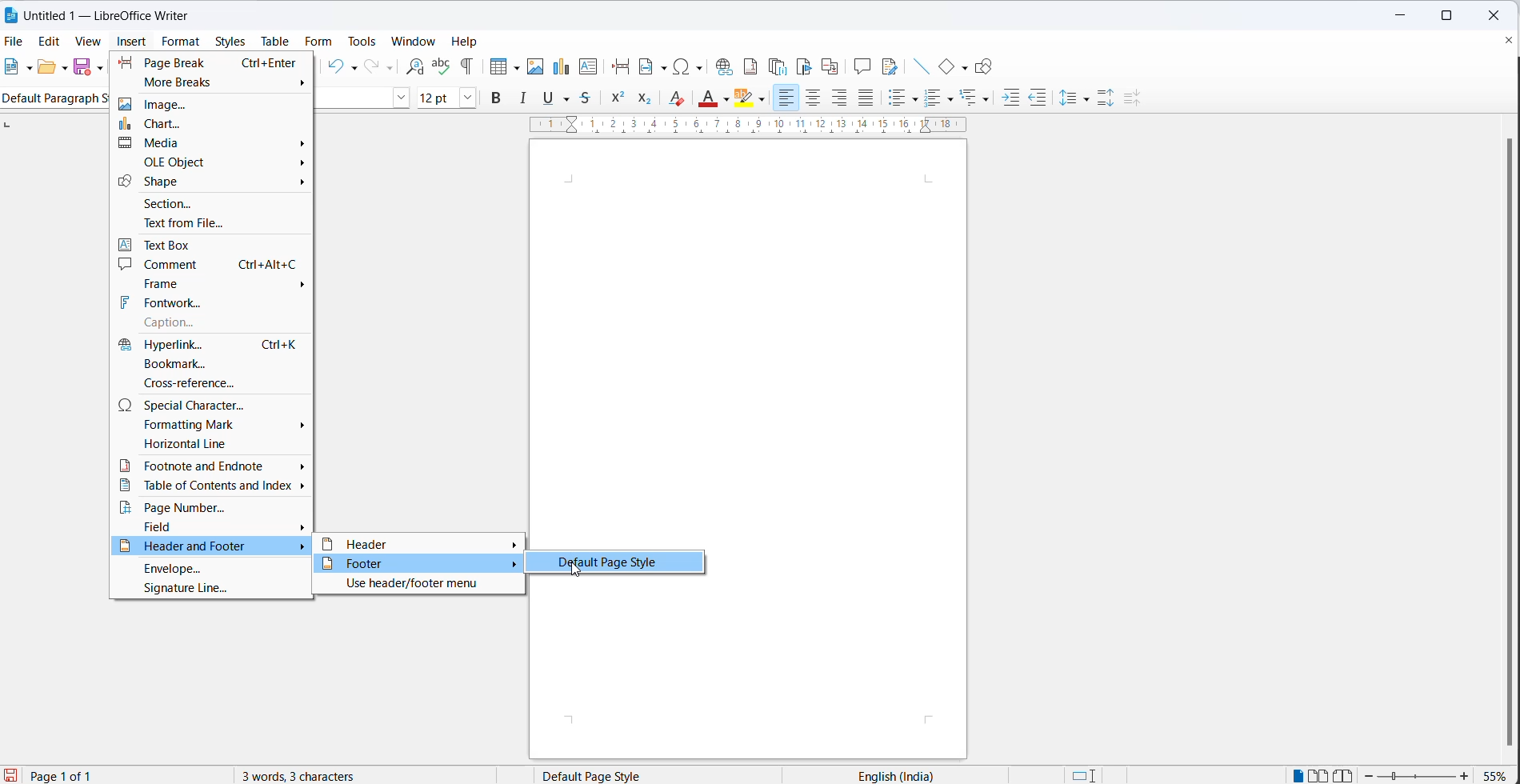 The height and width of the screenshot is (784, 1520). Describe the element at coordinates (787, 98) in the screenshot. I see `text align left` at that location.